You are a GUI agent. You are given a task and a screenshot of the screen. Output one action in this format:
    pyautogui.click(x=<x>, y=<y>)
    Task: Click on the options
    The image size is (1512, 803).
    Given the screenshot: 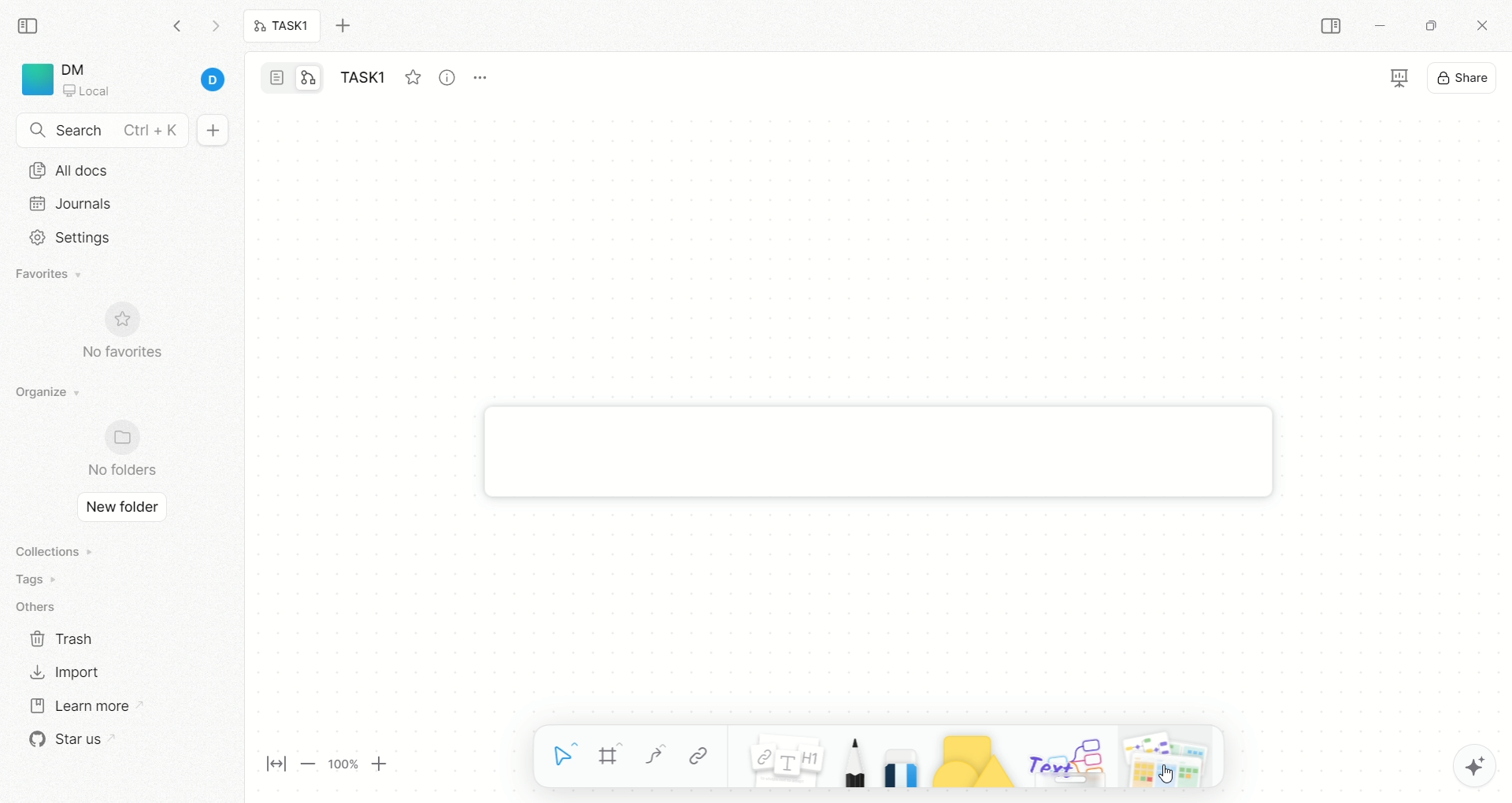 What is the action you would take?
    pyautogui.click(x=488, y=74)
    